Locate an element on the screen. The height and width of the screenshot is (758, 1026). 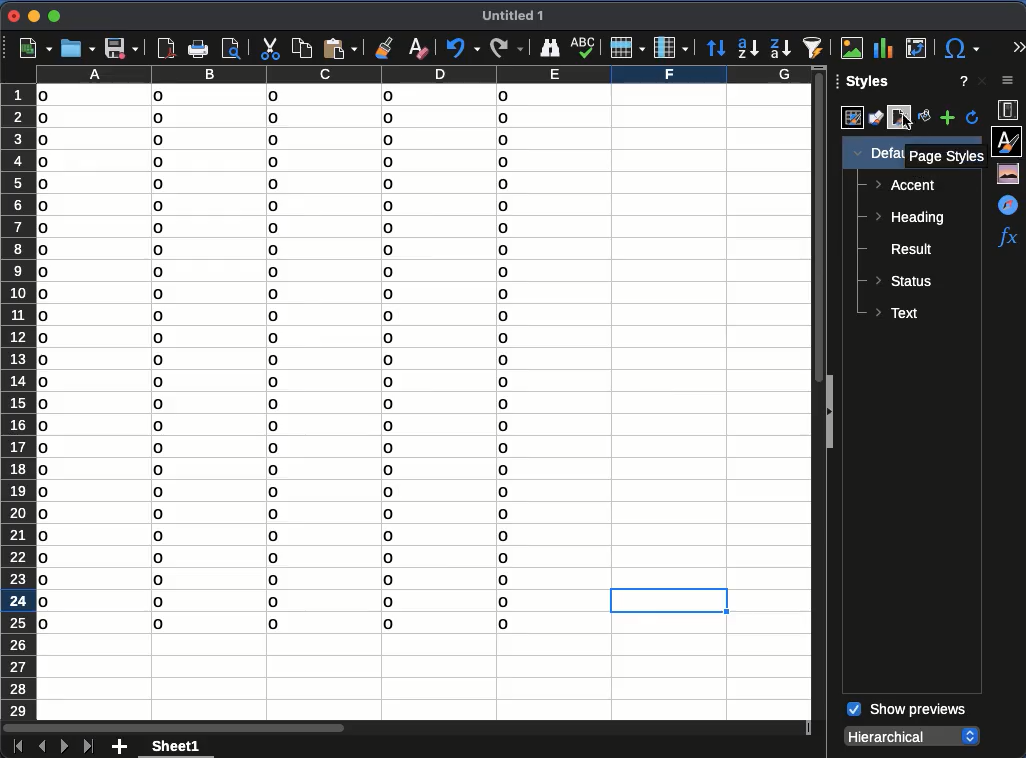
hierarchical  is located at coordinates (914, 735).